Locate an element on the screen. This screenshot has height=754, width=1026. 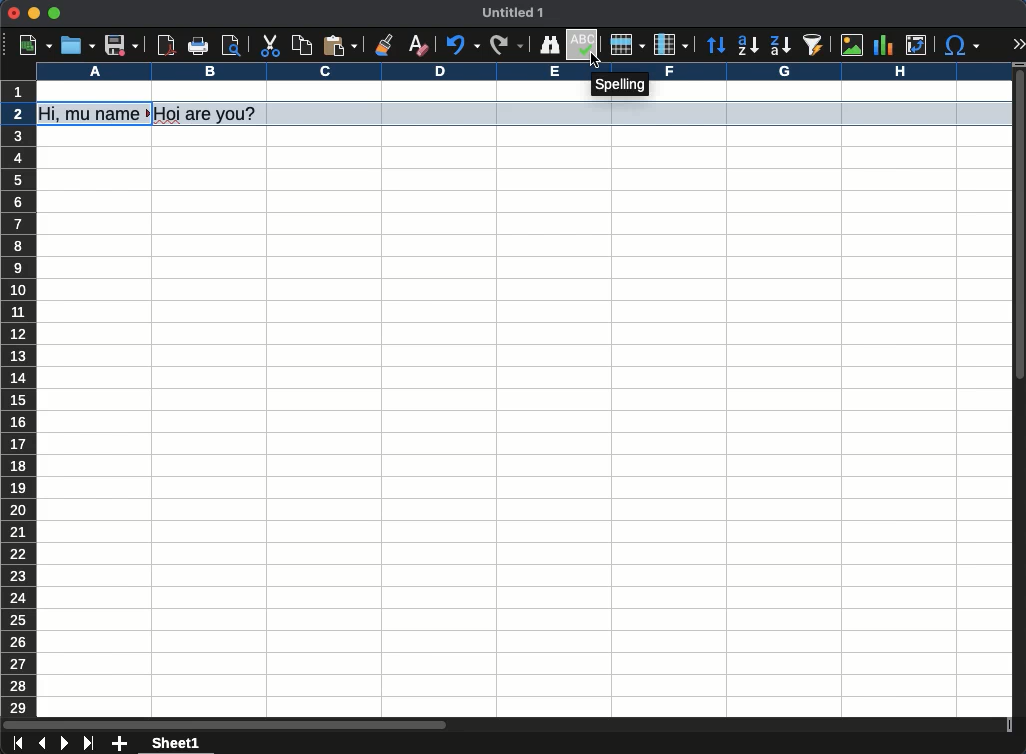
cursor is located at coordinates (595, 61).